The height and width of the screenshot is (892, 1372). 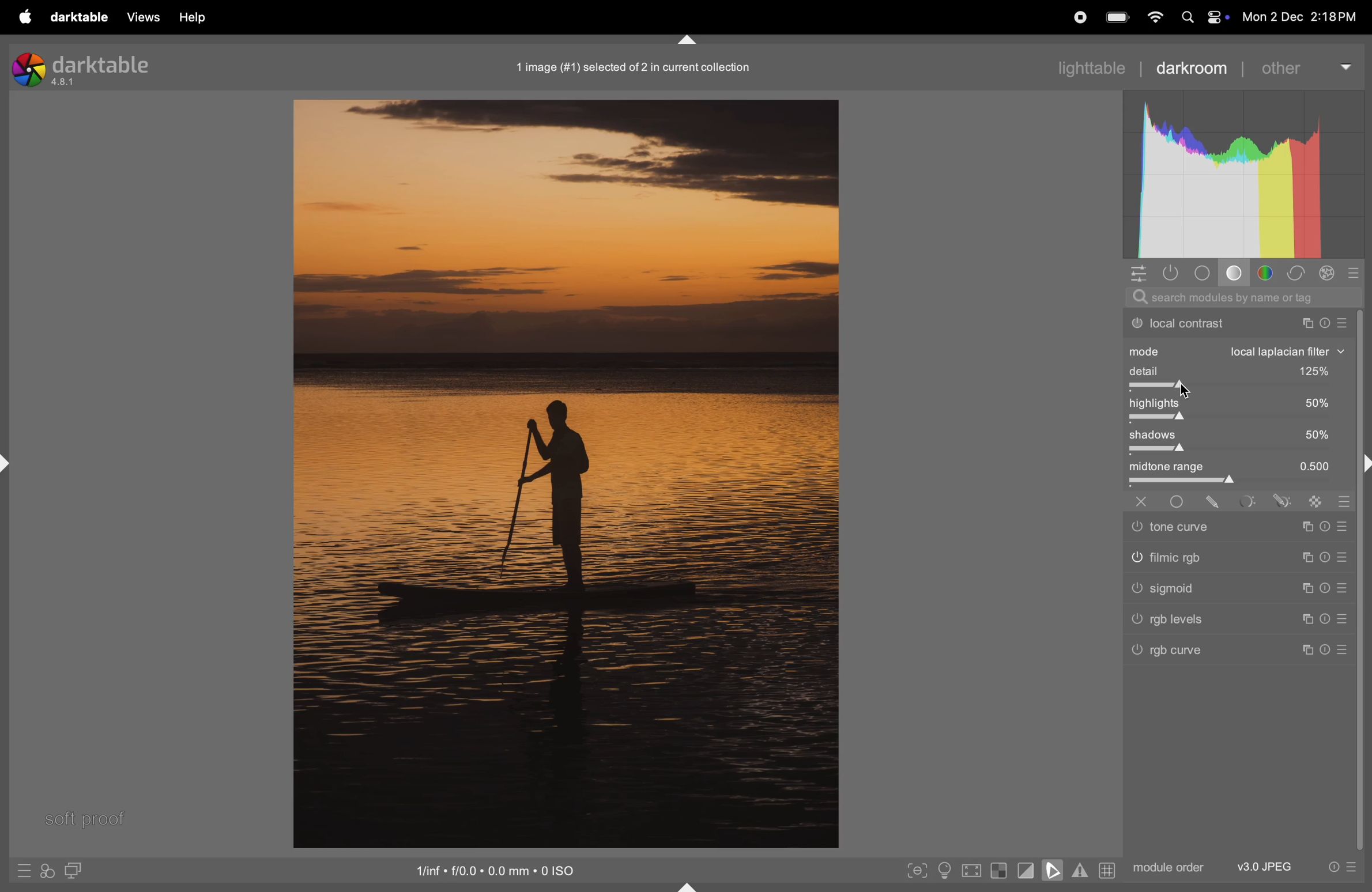 I want to click on darktable, so click(x=79, y=17).